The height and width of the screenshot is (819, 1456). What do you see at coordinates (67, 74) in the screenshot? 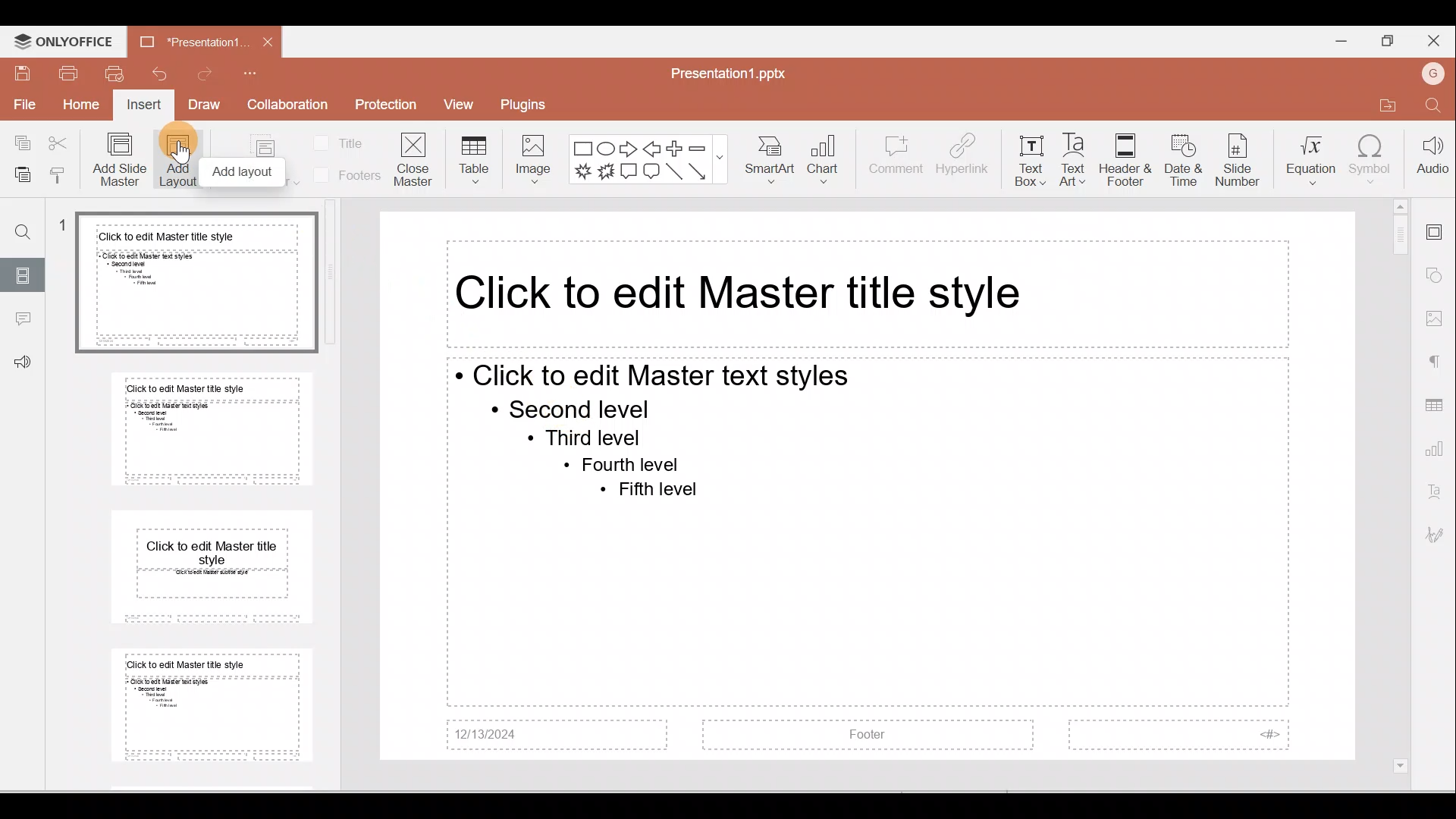
I see `Print file` at bounding box center [67, 74].